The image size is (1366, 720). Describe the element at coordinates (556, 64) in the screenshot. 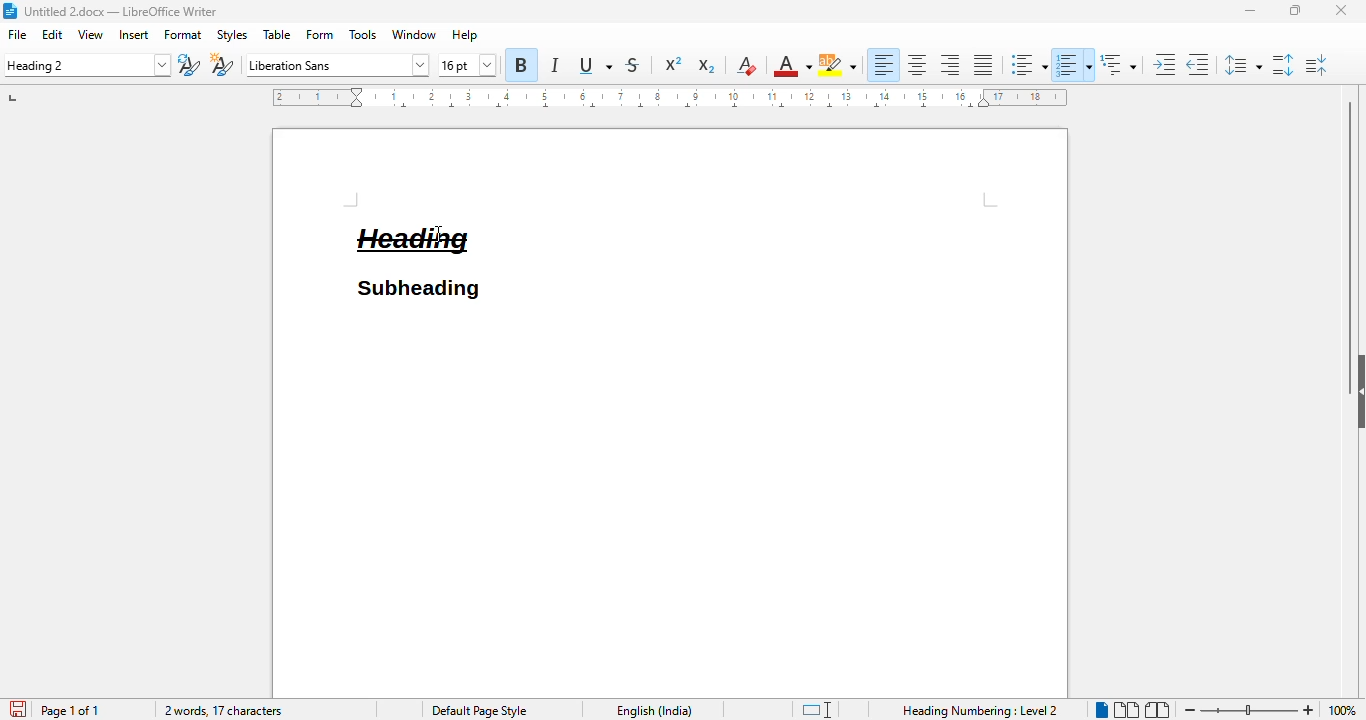

I see `italic` at that location.